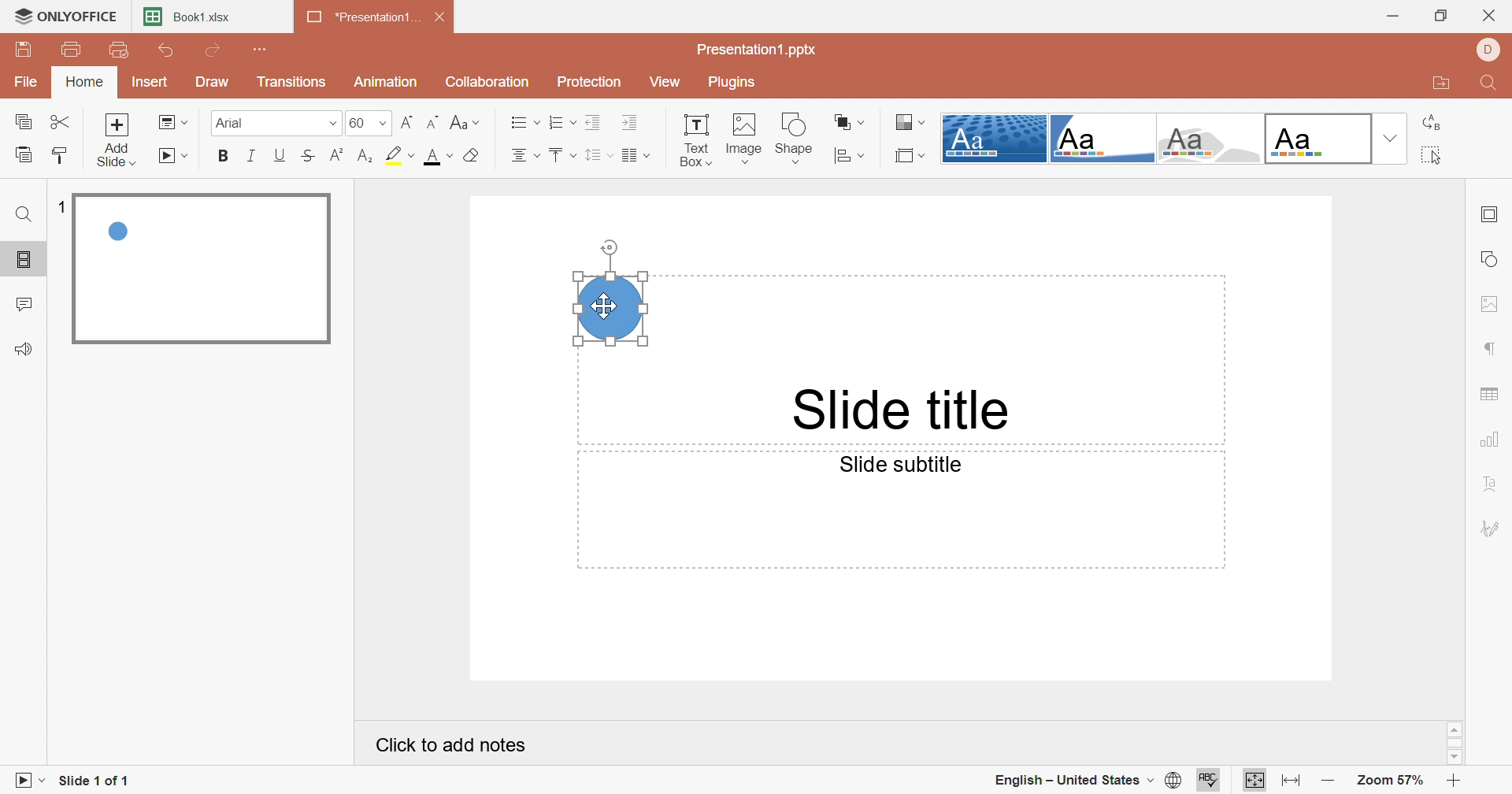  Describe the element at coordinates (225, 155) in the screenshot. I see `Bold` at that location.